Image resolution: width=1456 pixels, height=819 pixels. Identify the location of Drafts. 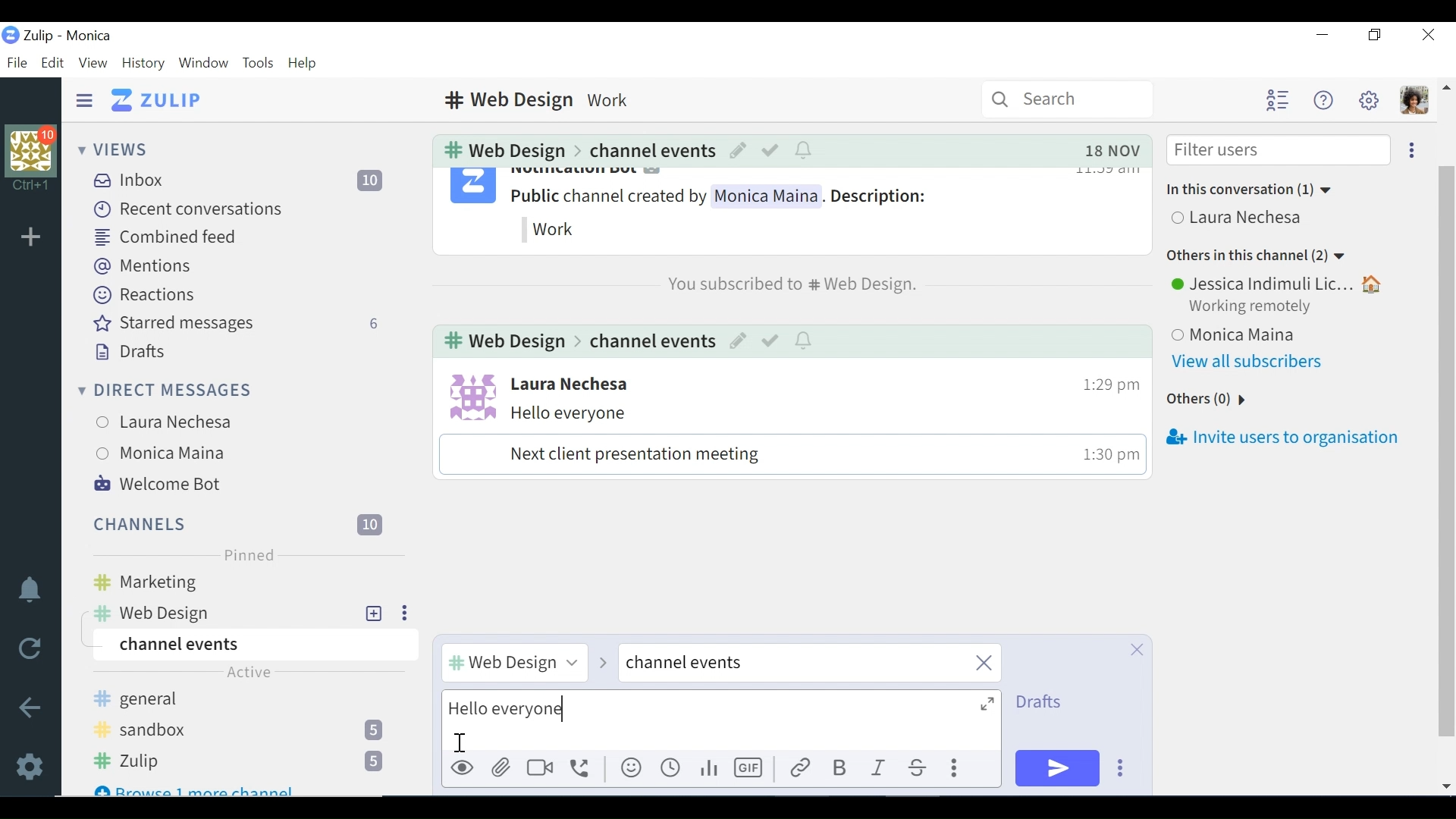
(1043, 702).